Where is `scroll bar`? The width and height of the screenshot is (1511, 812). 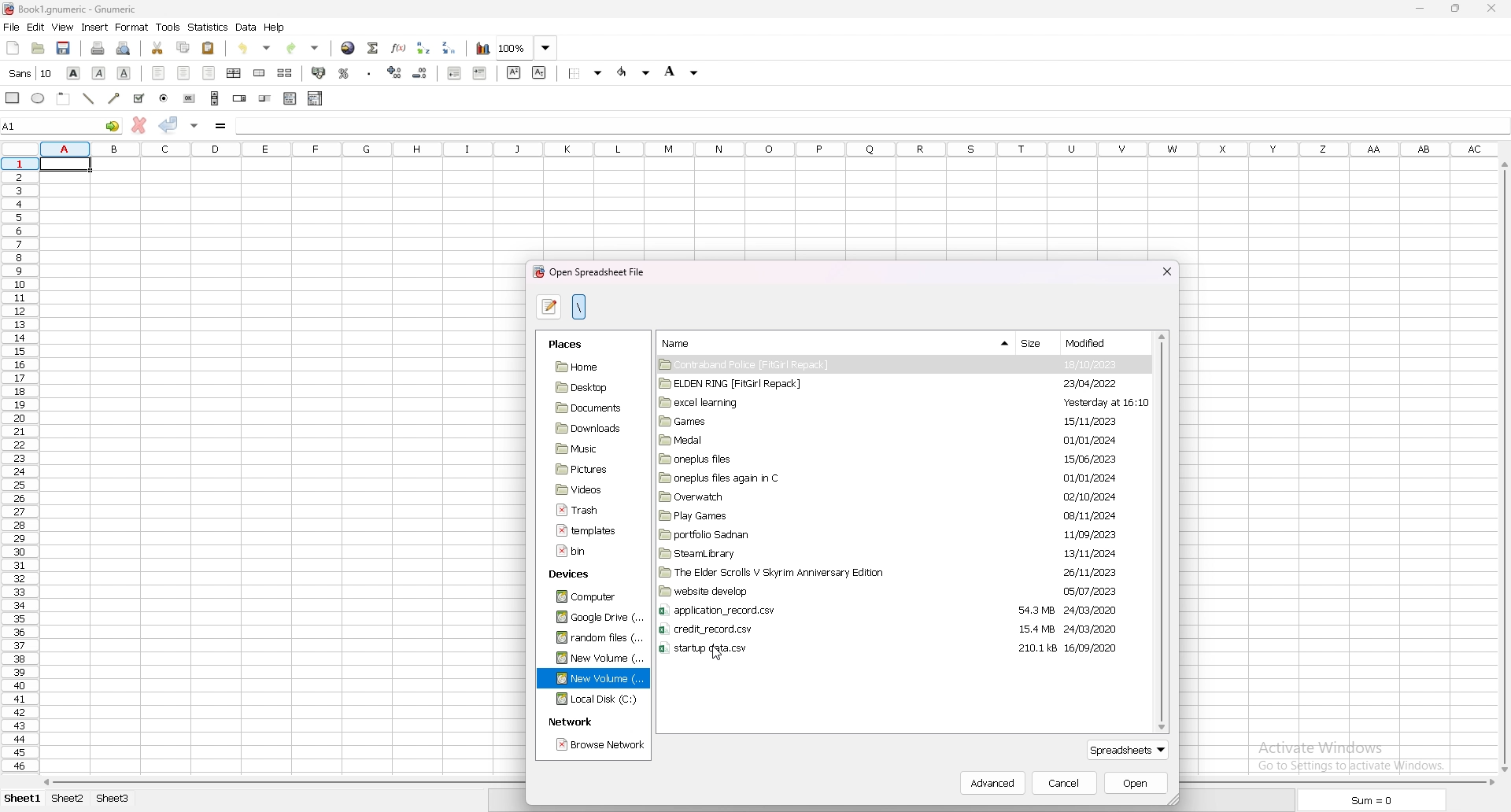 scroll bar is located at coordinates (1162, 533).